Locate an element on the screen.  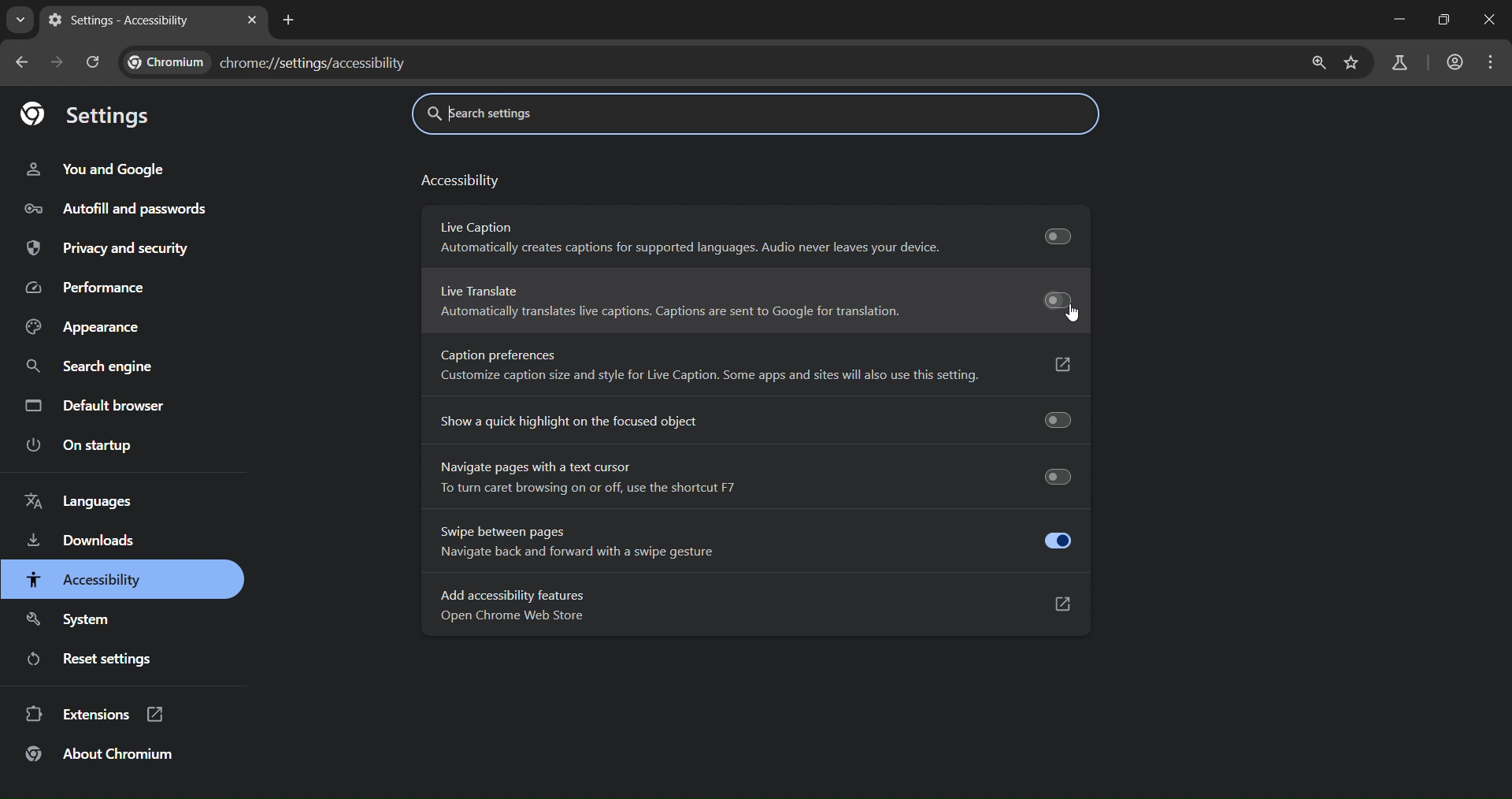
close tab is located at coordinates (251, 22).